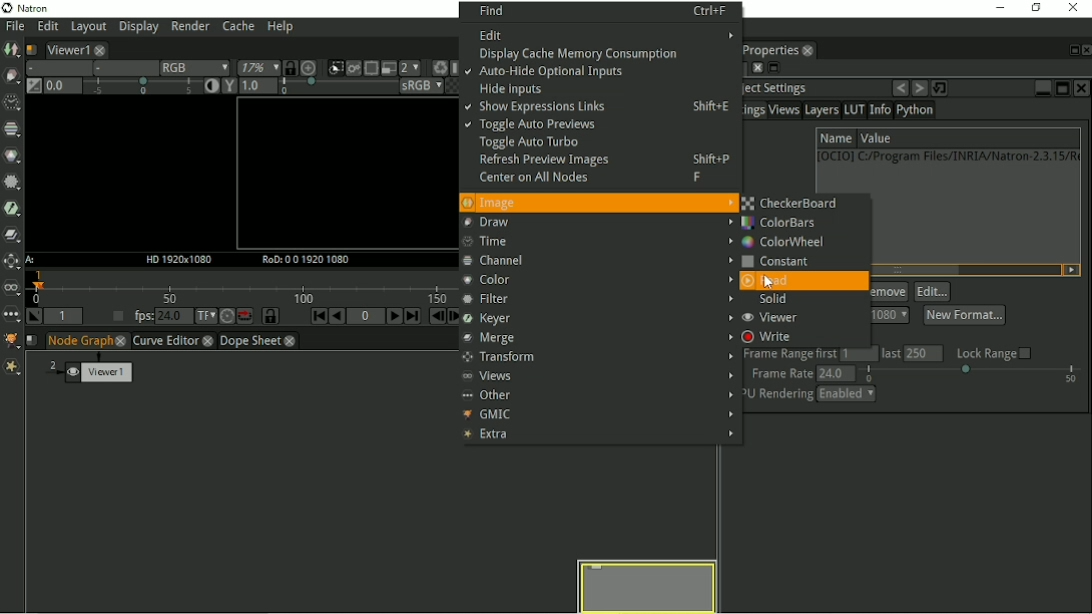 The height and width of the screenshot is (614, 1092). I want to click on Script name, so click(33, 341).